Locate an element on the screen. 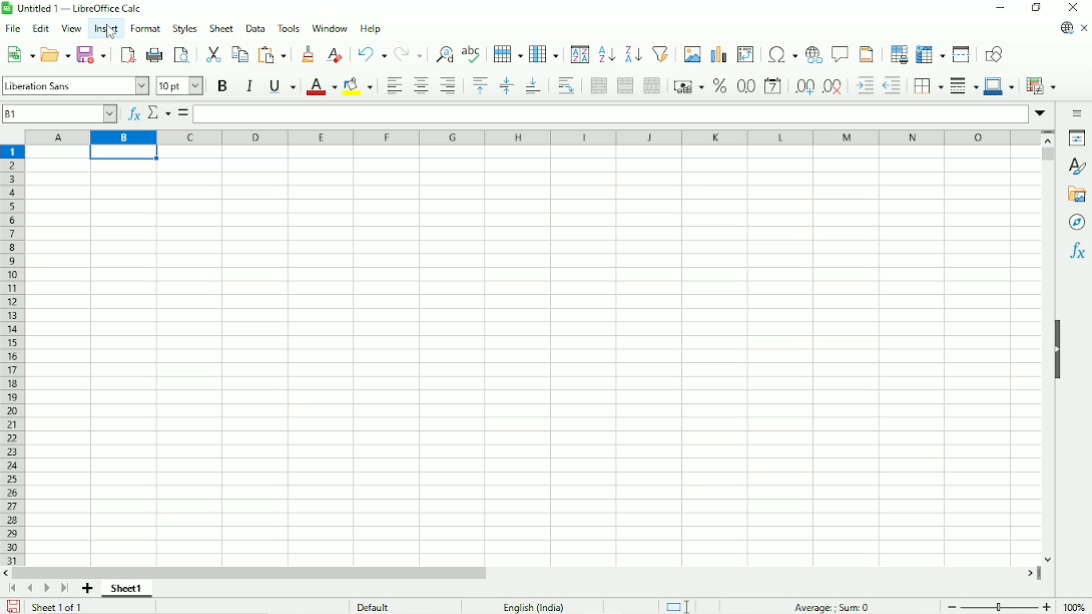 The image size is (1092, 614). Font size is located at coordinates (180, 86).